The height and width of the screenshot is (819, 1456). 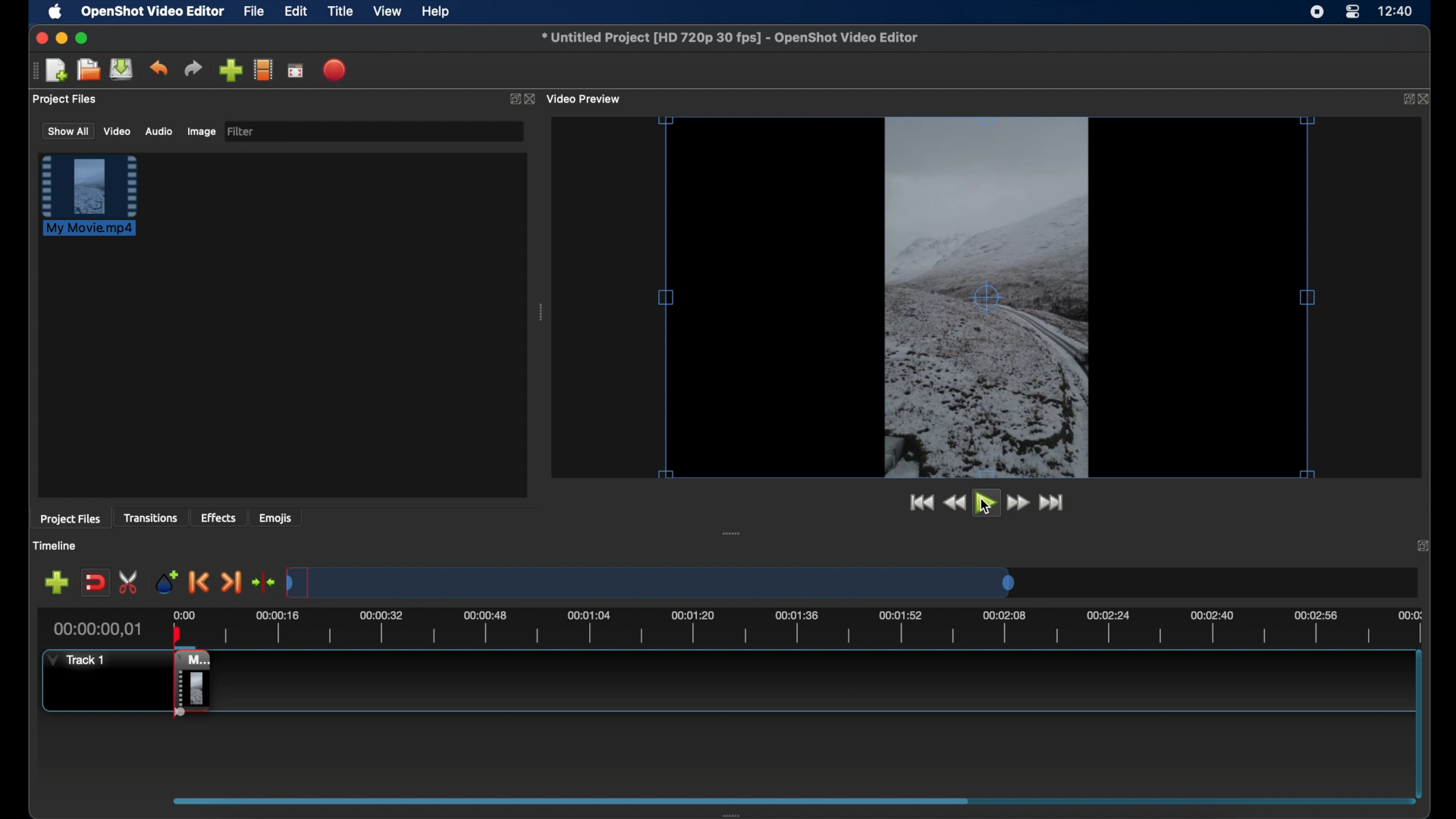 I want to click on drag handle, so click(x=33, y=71).